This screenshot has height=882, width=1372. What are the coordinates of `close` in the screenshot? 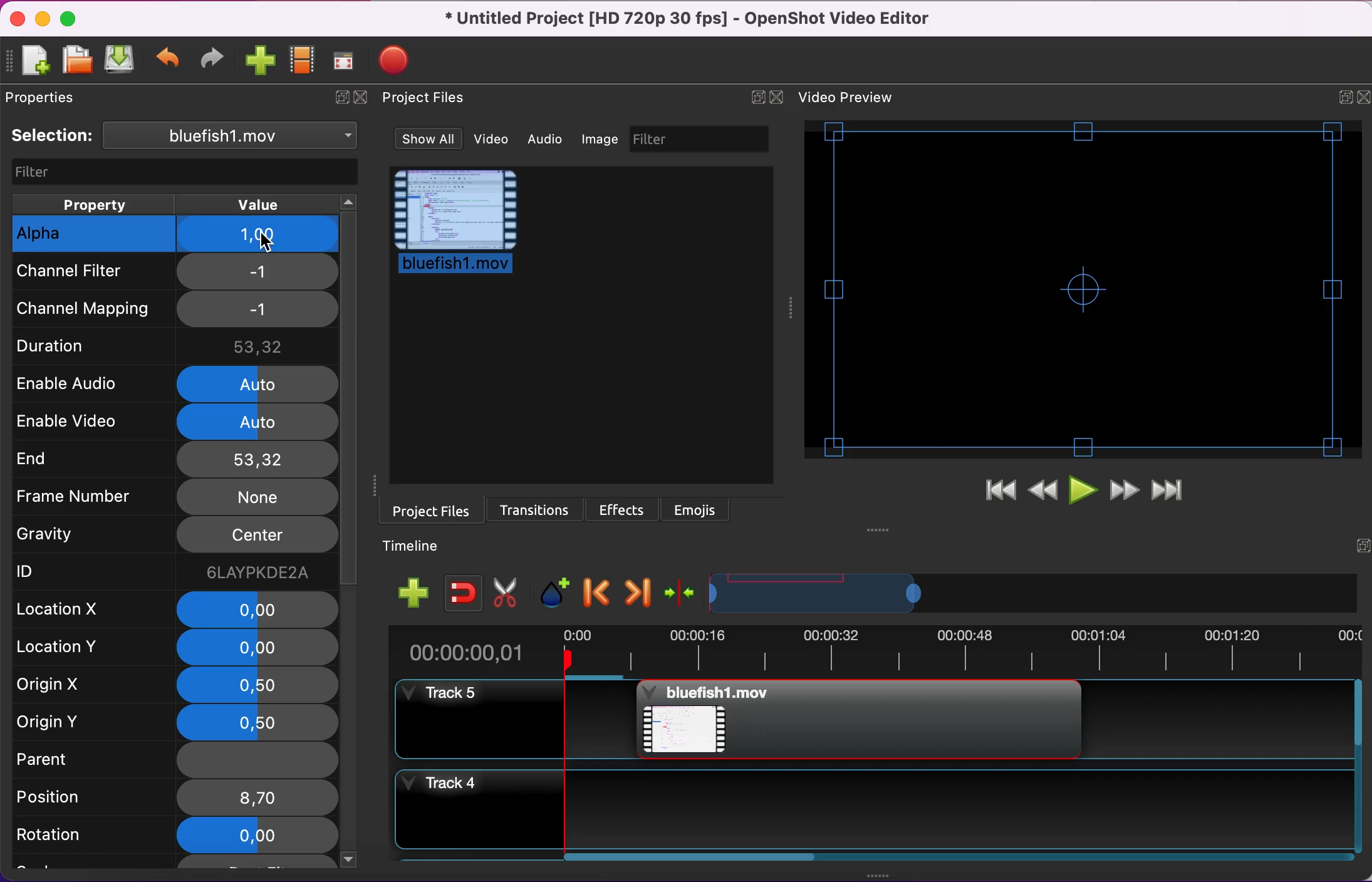 It's located at (783, 98).